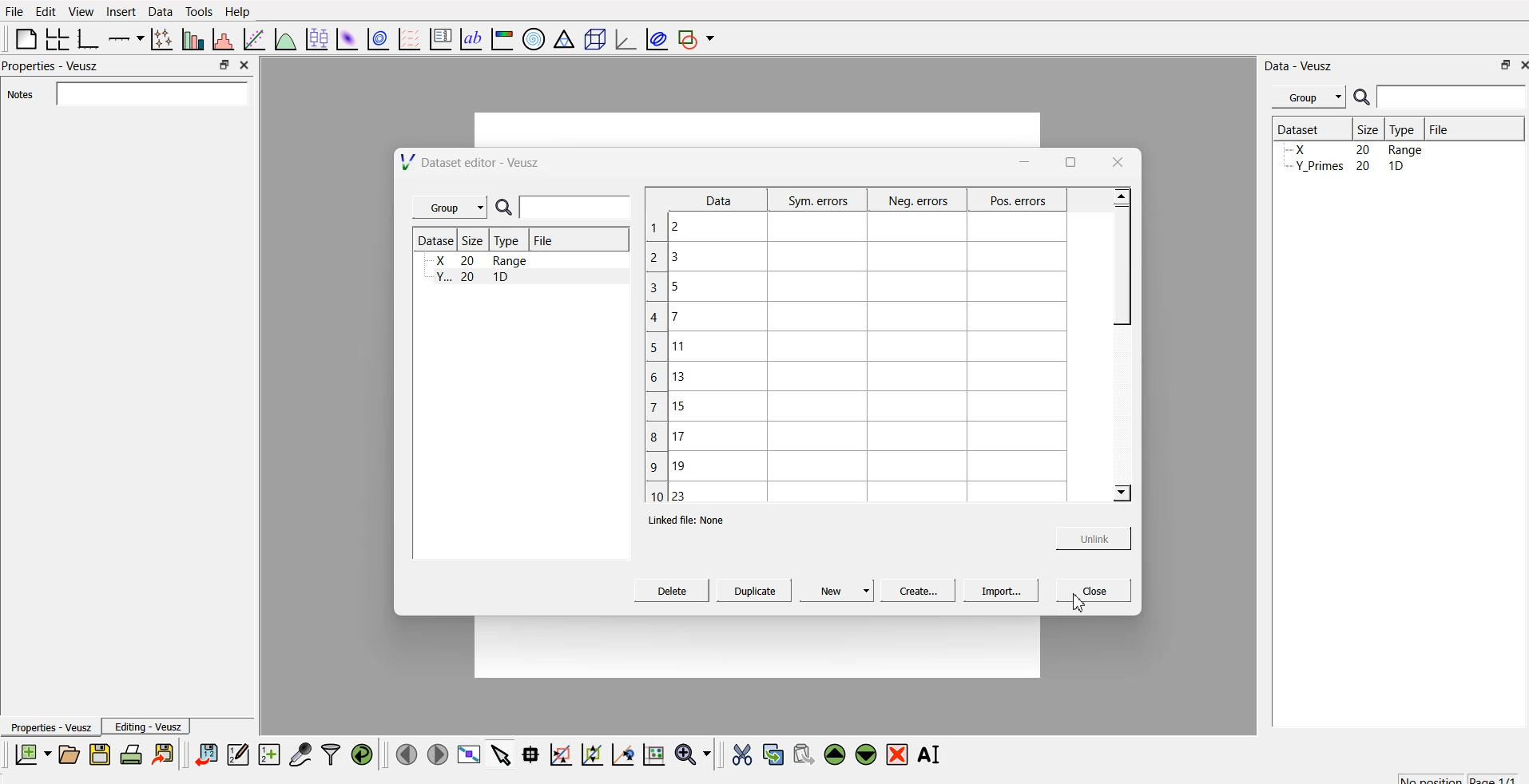 The image size is (1529, 784). What do you see at coordinates (574, 208) in the screenshot?
I see `search bar` at bounding box center [574, 208].